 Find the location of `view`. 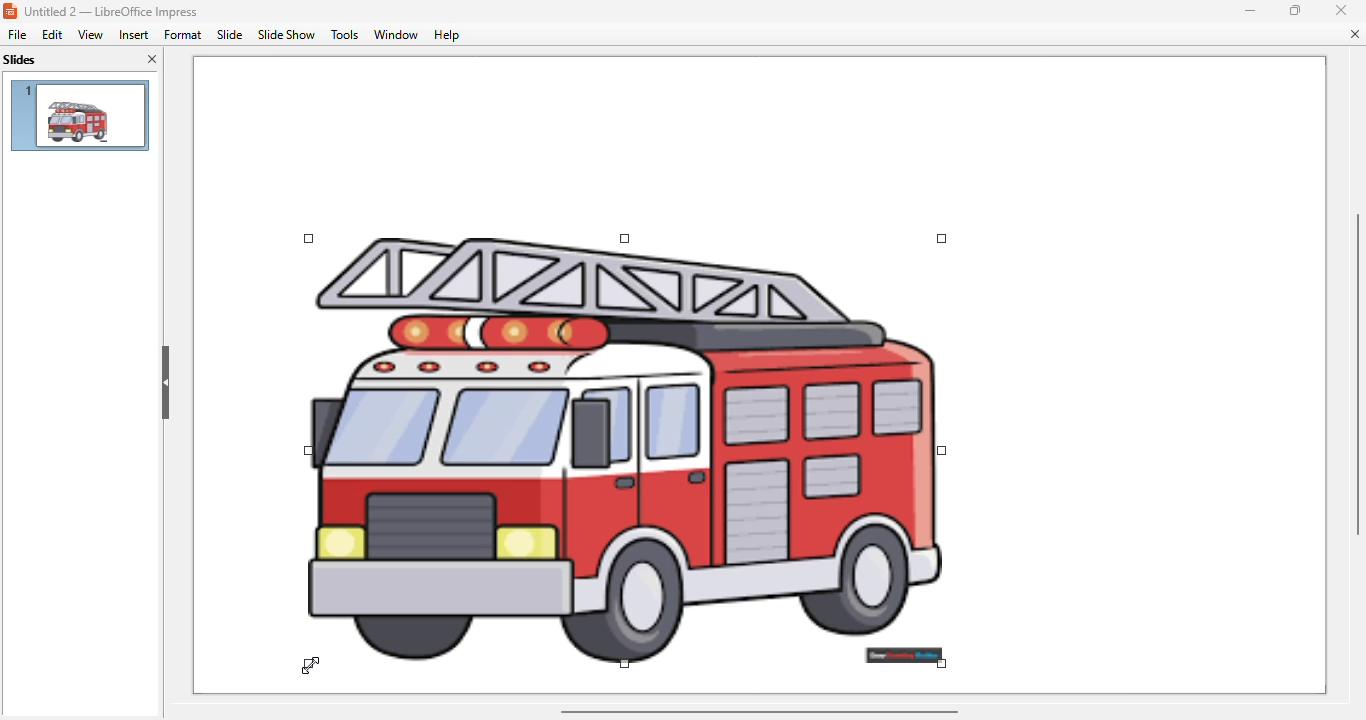

view is located at coordinates (90, 34).